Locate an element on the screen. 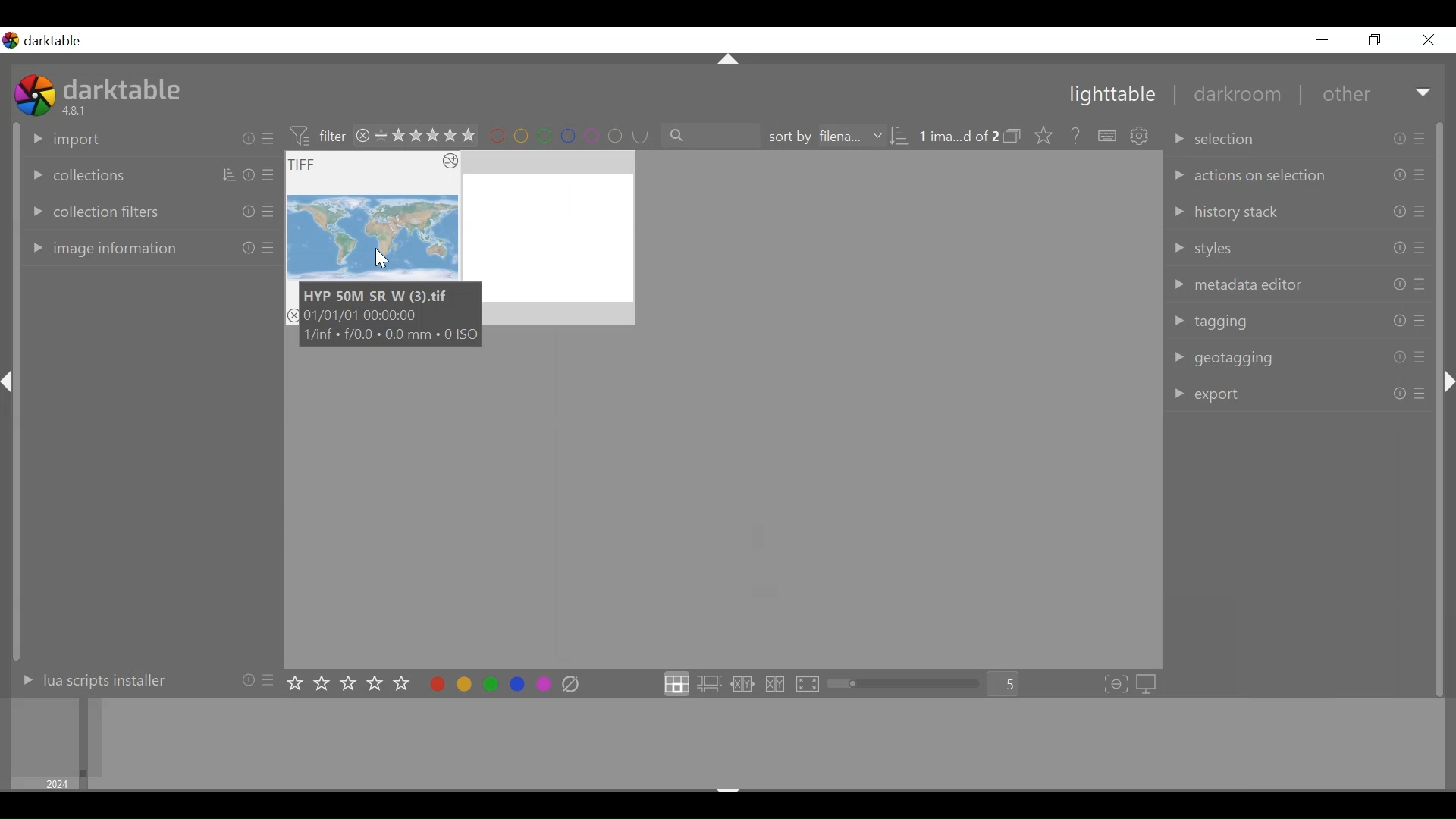 The height and width of the screenshot is (819, 1456). click to label filemanager layout is located at coordinates (676, 685).